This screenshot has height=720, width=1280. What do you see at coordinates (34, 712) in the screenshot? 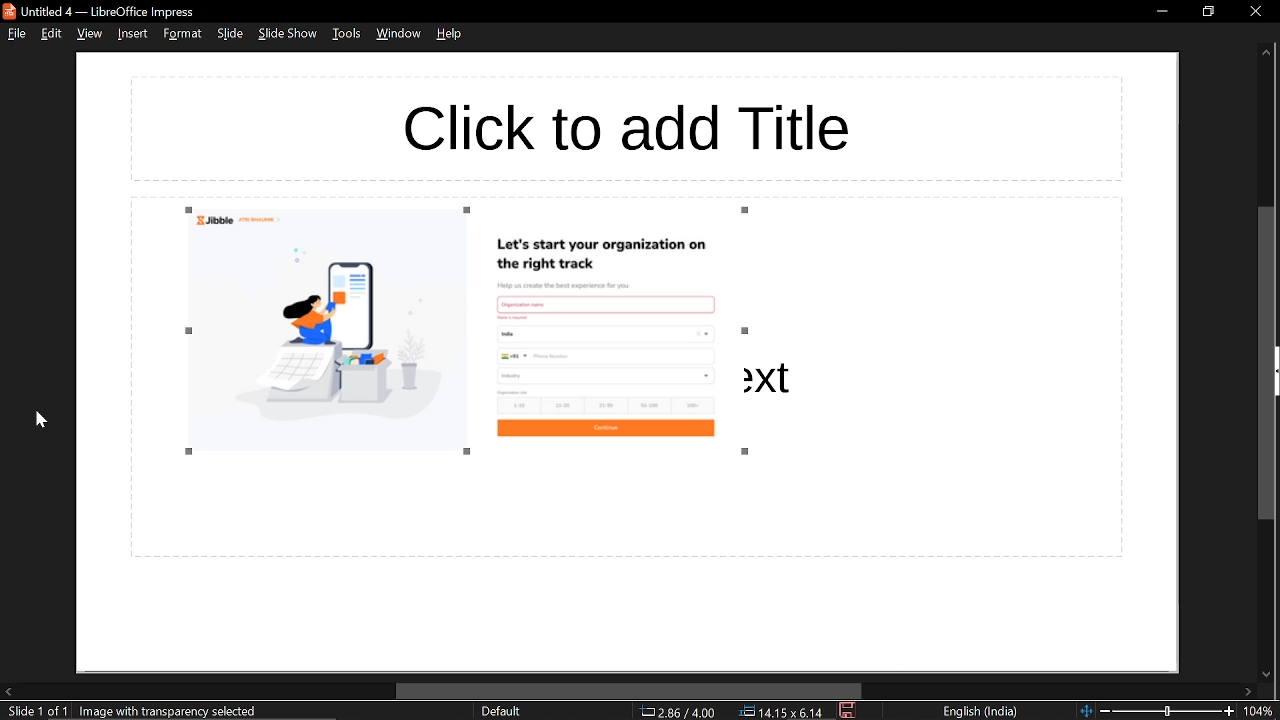
I see `current slide` at bounding box center [34, 712].